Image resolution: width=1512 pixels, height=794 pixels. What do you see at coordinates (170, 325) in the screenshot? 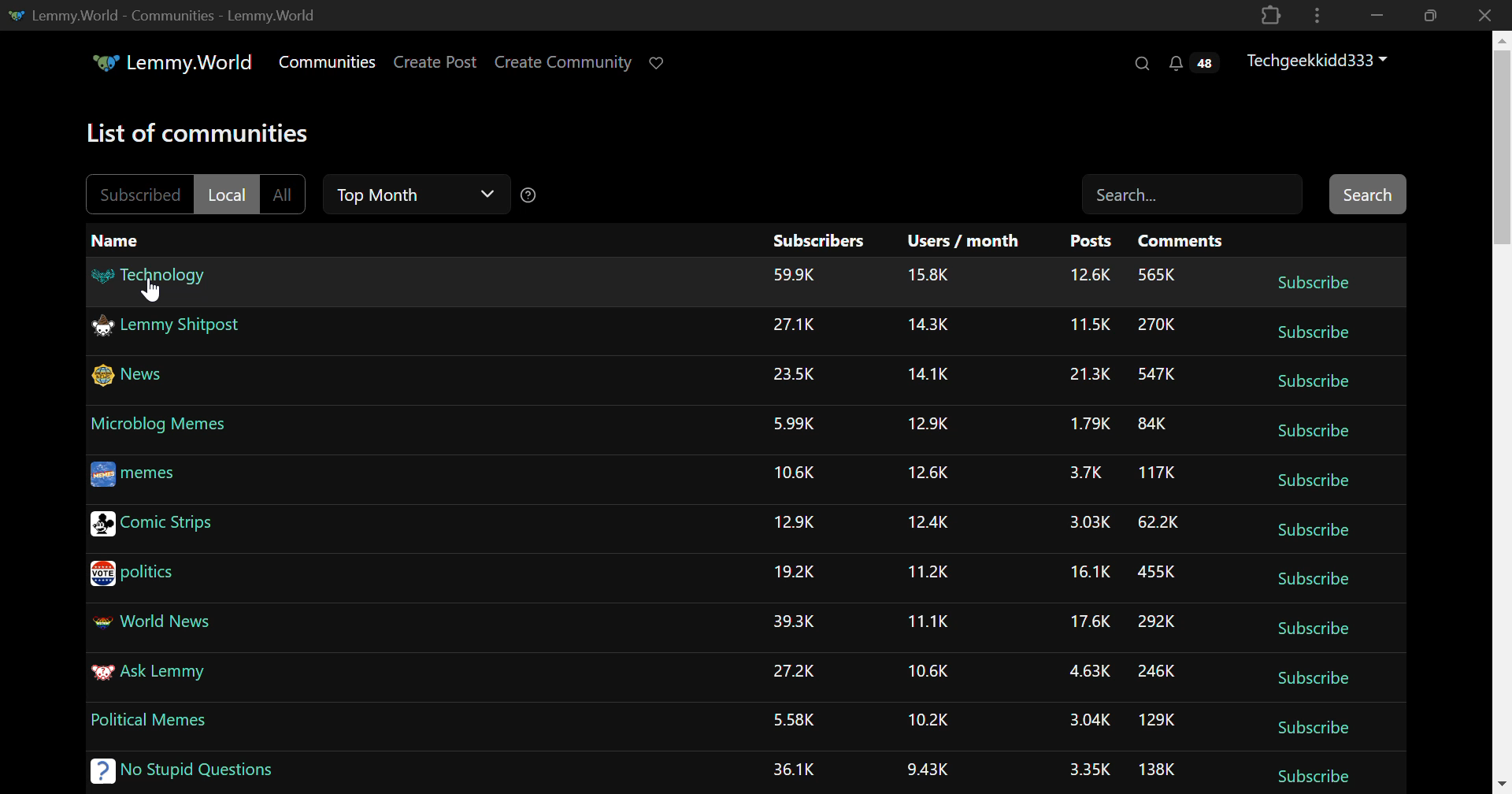
I see `Lemmy Shitpost` at bounding box center [170, 325].